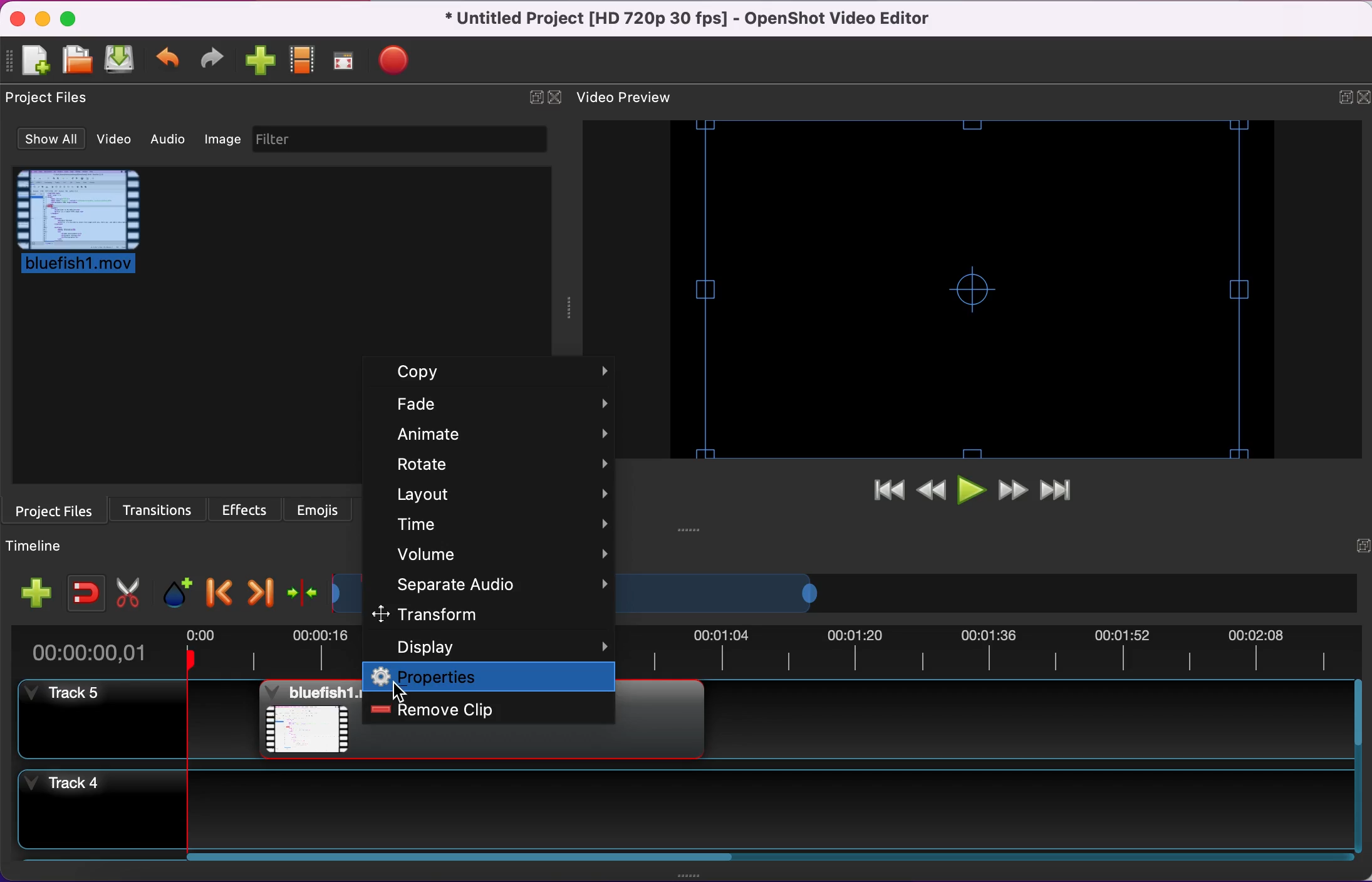 This screenshot has width=1372, height=882. I want to click on full screen, so click(351, 61).